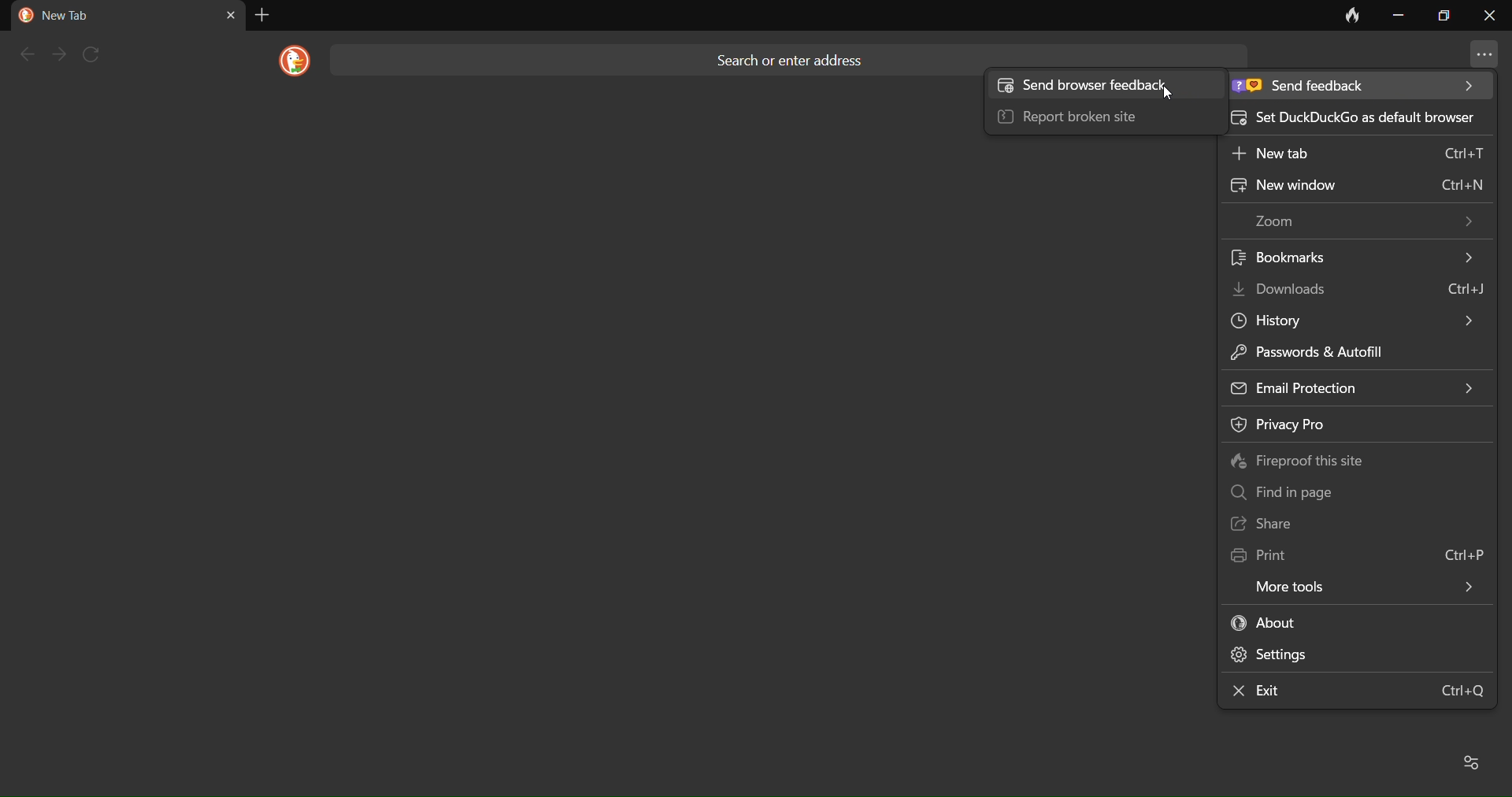  I want to click on fireproof this site, so click(1352, 459).